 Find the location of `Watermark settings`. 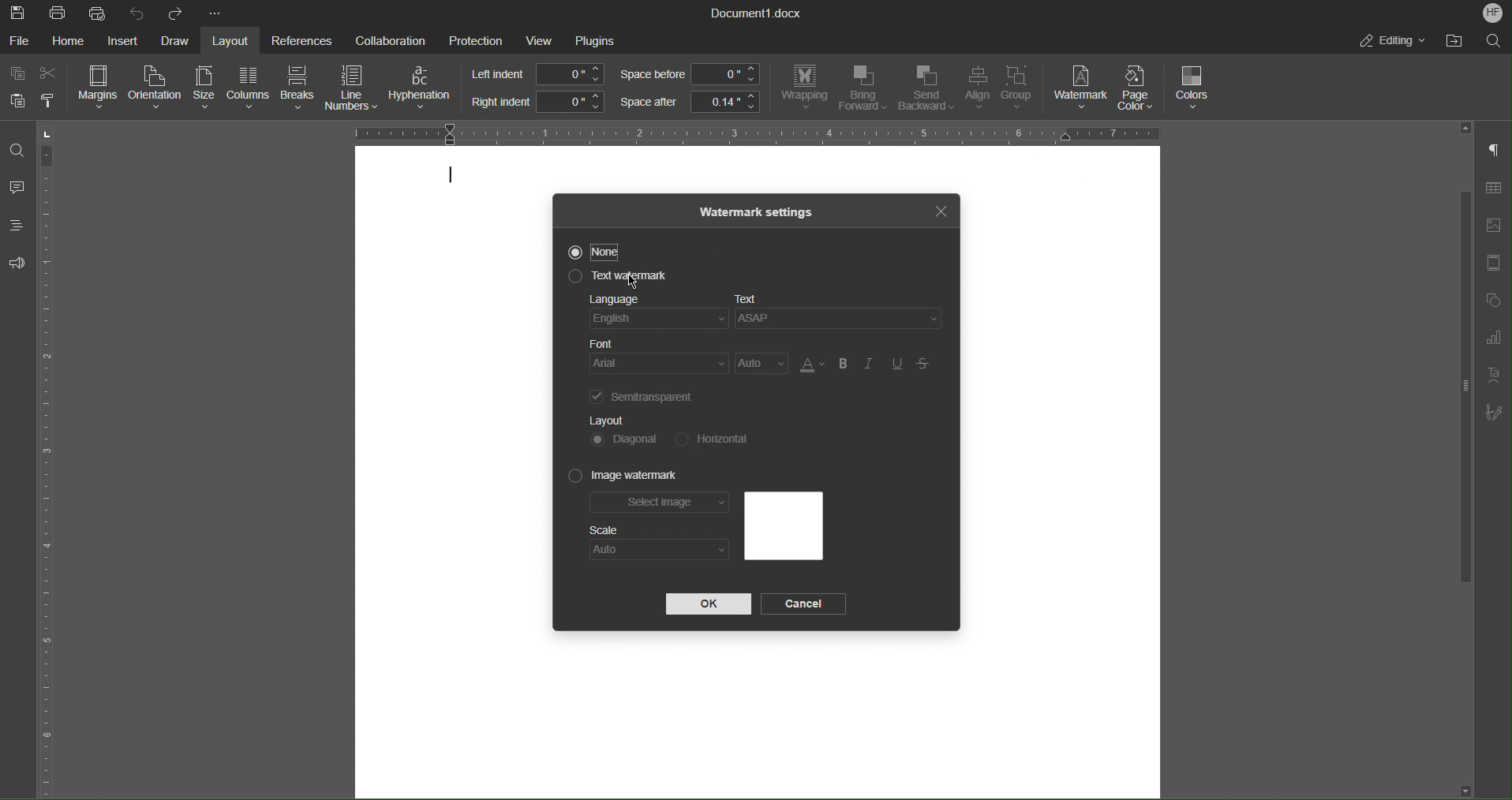

Watermark settings is located at coordinates (758, 211).